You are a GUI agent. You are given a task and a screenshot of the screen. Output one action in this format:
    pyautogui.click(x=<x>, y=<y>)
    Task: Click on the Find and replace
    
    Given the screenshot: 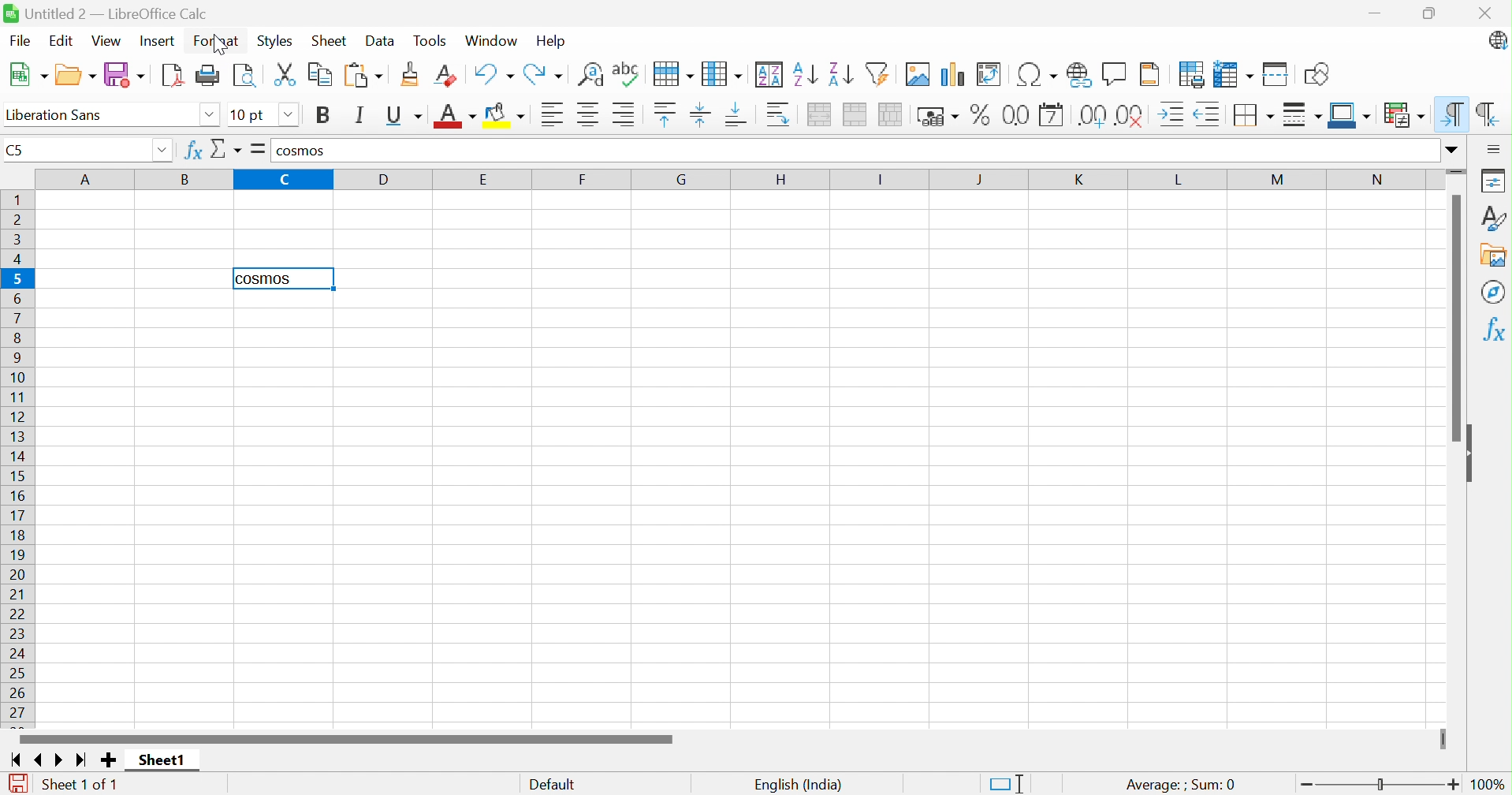 What is the action you would take?
    pyautogui.click(x=590, y=75)
    